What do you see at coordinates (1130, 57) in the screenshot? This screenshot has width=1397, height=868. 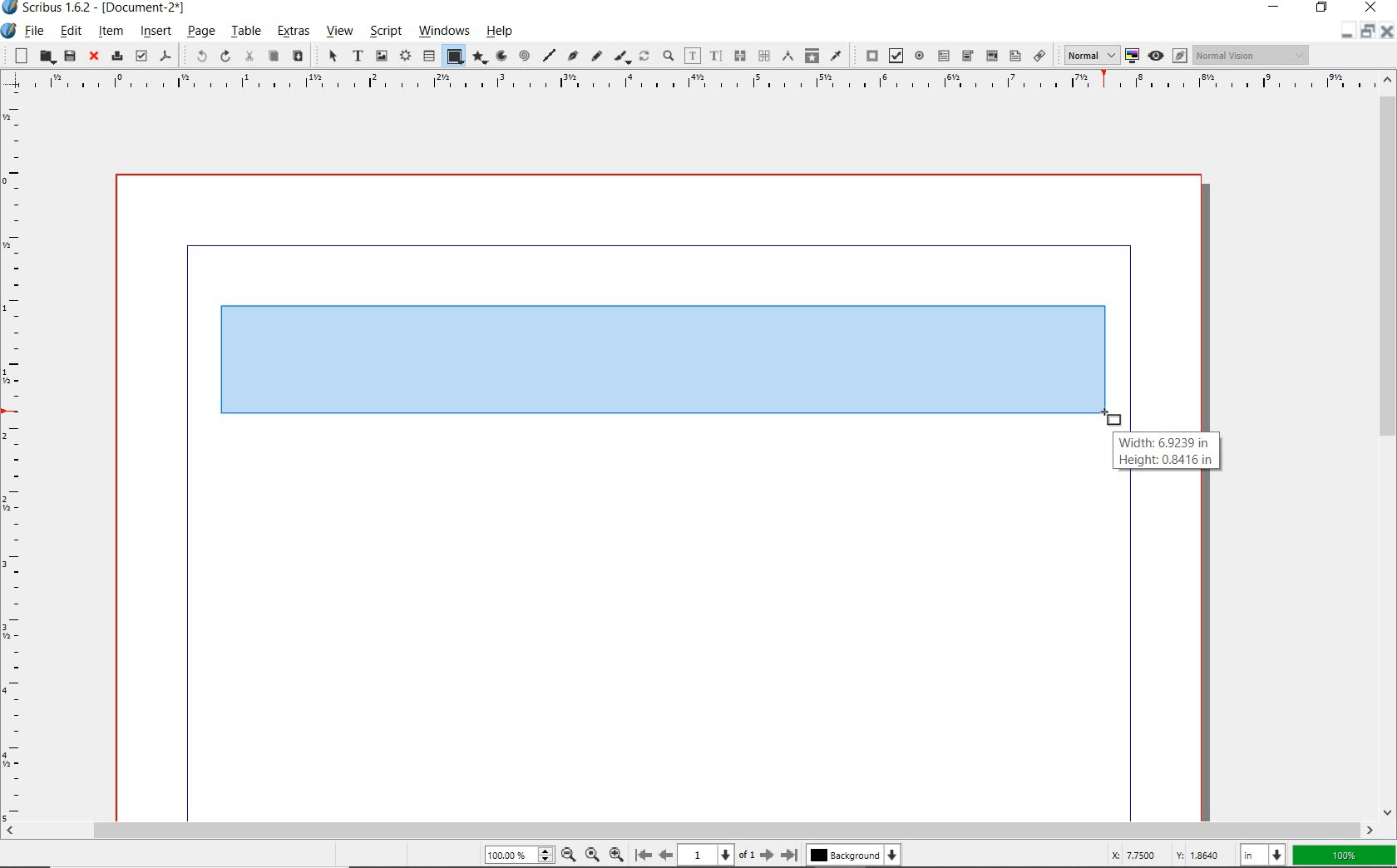 I see `toggle color` at bounding box center [1130, 57].